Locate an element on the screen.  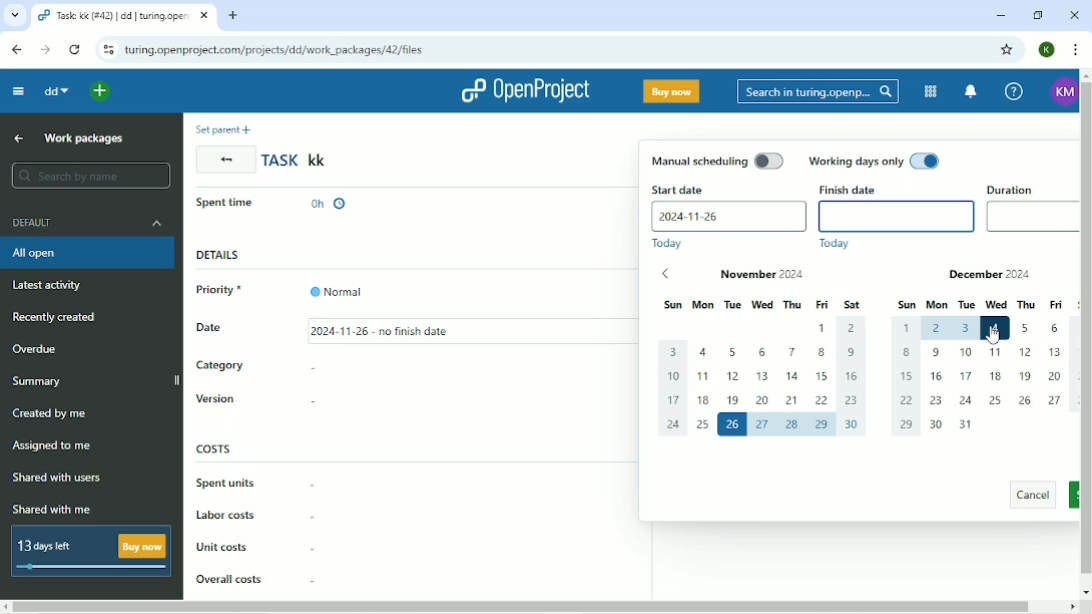
K is located at coordinates (1048, 49).